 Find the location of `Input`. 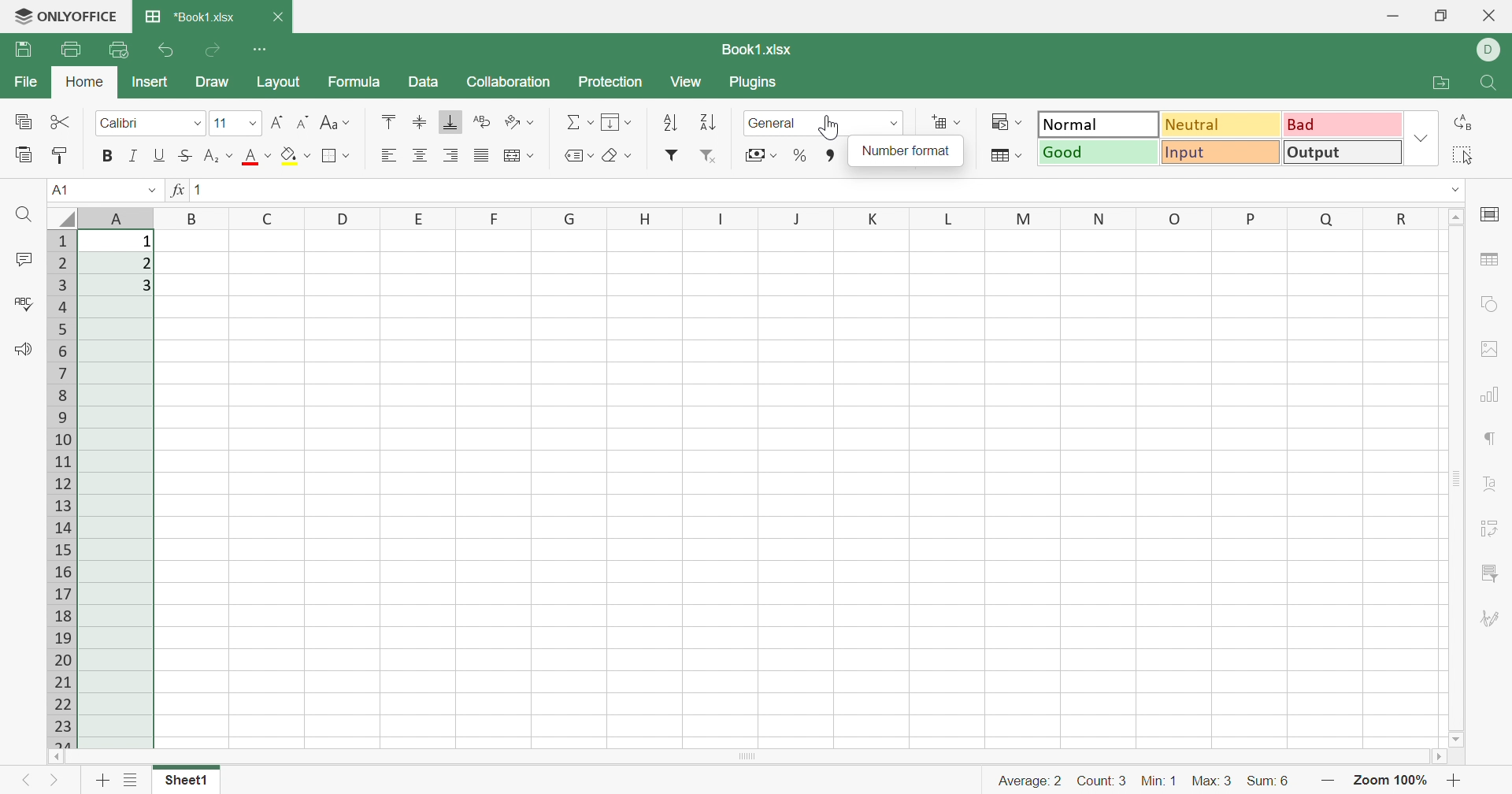

Input is located at coordinates (1221, 152).